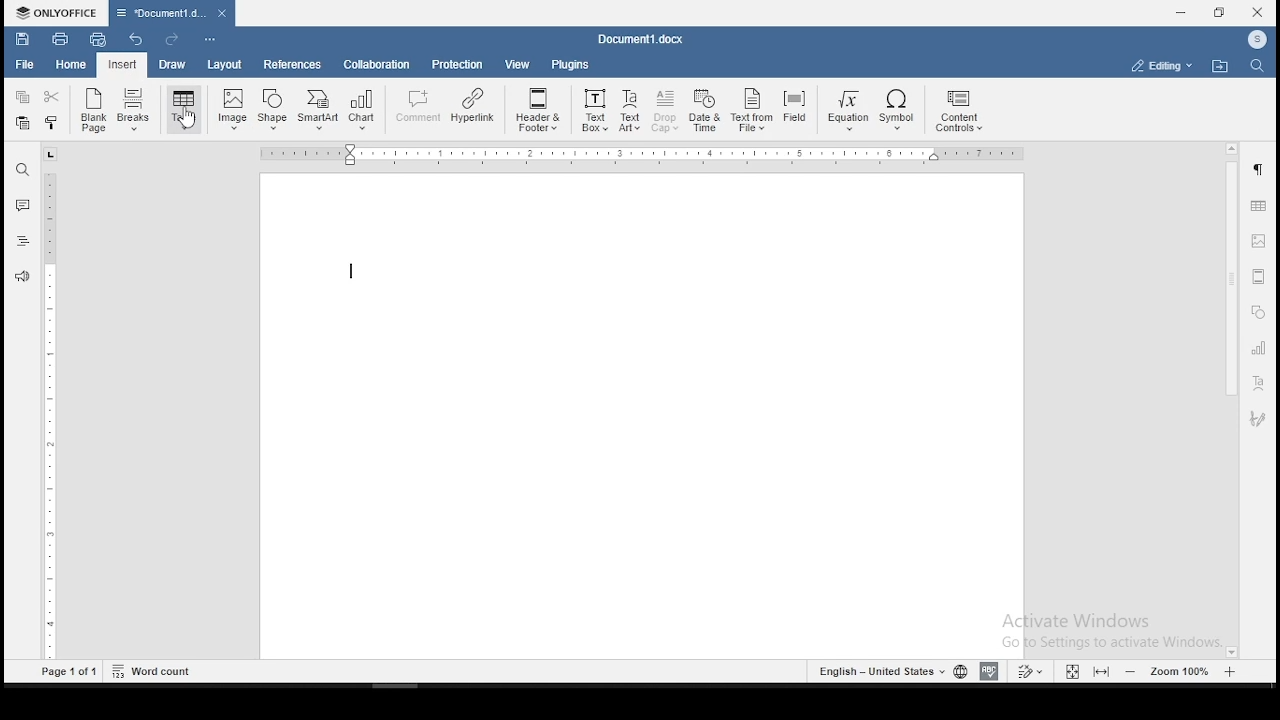 The image size is (1280, 720). I want to click on input, so click(122, 65).